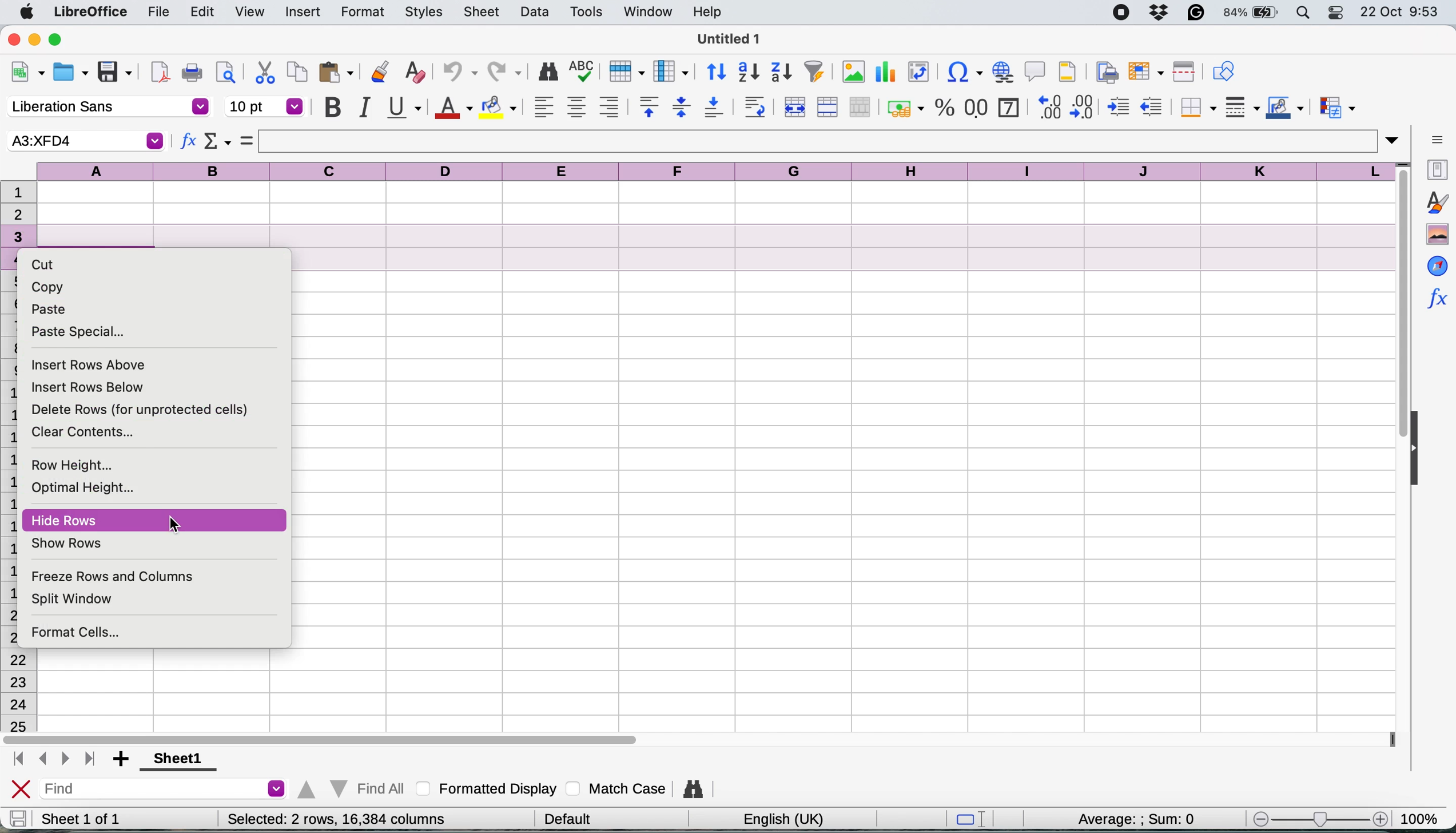 The width and height of the screenshot is (1456, 833). What do you see at coordinates (755, 106) in the screenshot?
I see `wrap text` at bounding box center [755, 106].